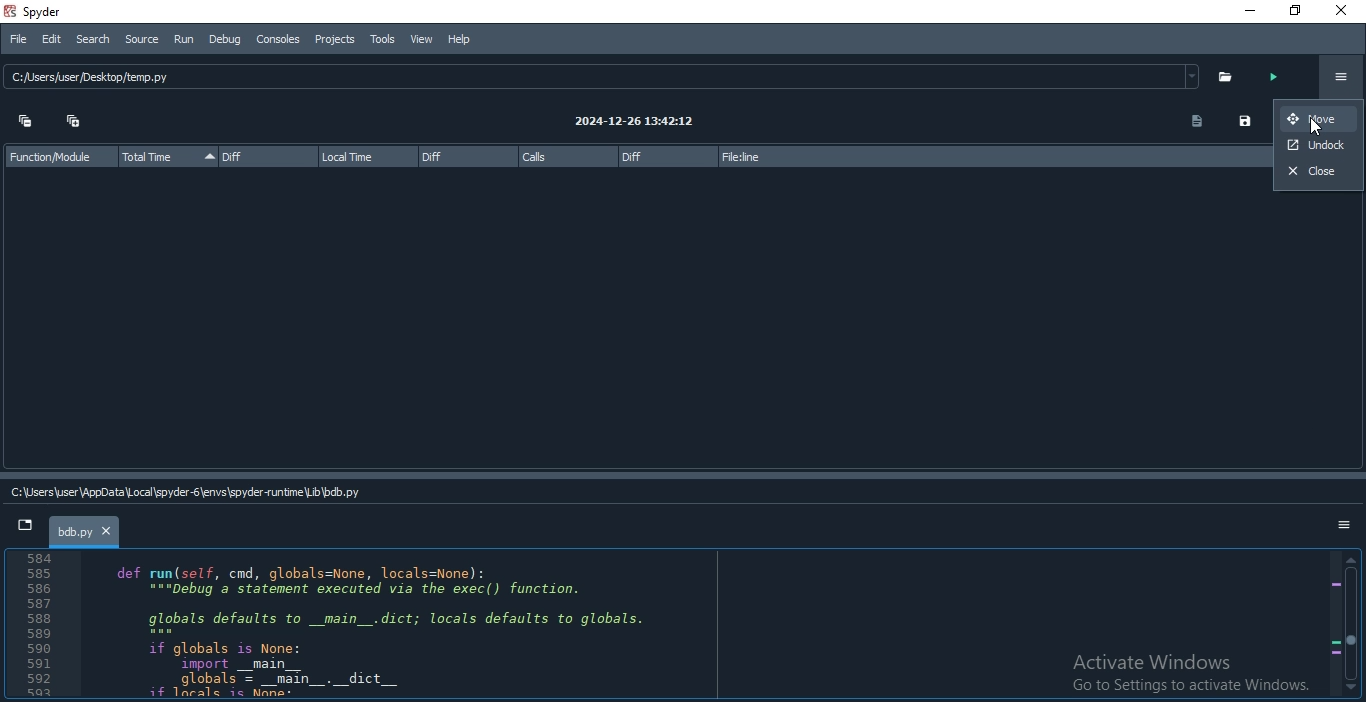  Describe the element at coordinates (277, 39) in the screenshot. I see `Consoles` at that location.